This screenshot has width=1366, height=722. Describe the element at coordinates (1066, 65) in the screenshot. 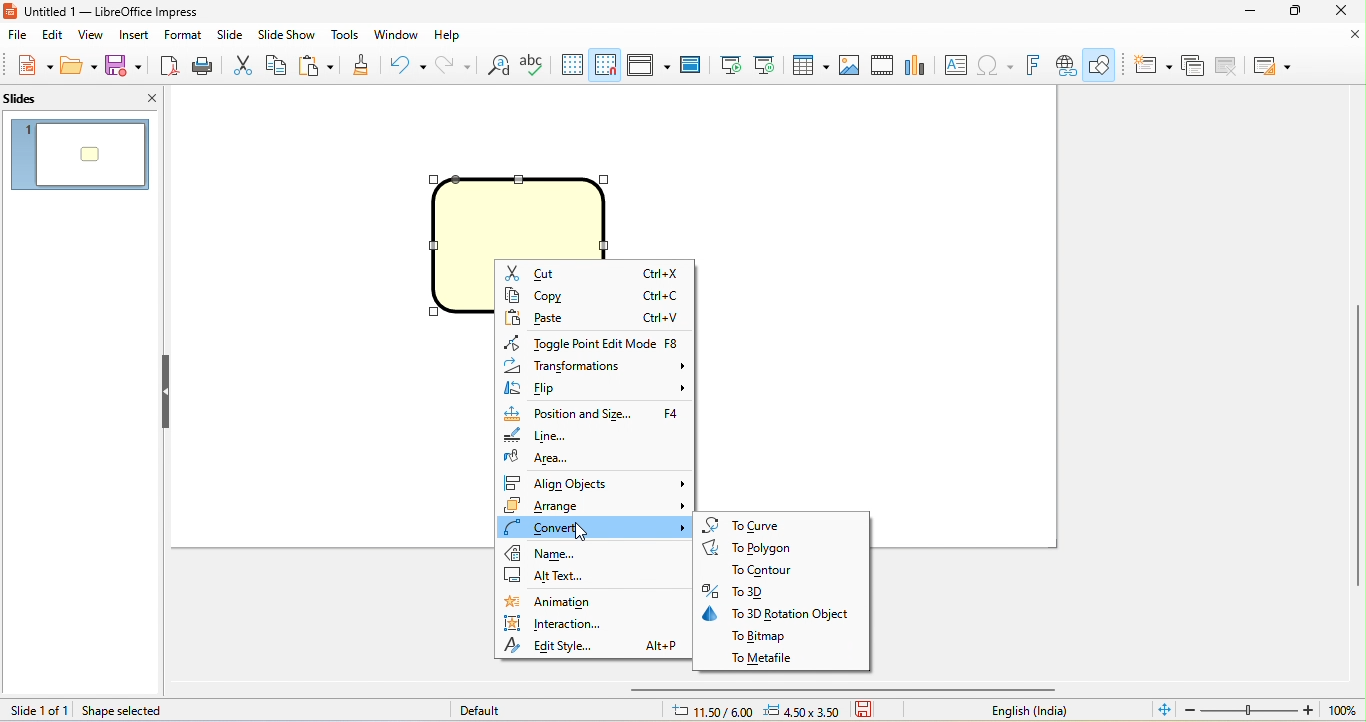

I see `hyperlink` at that location.